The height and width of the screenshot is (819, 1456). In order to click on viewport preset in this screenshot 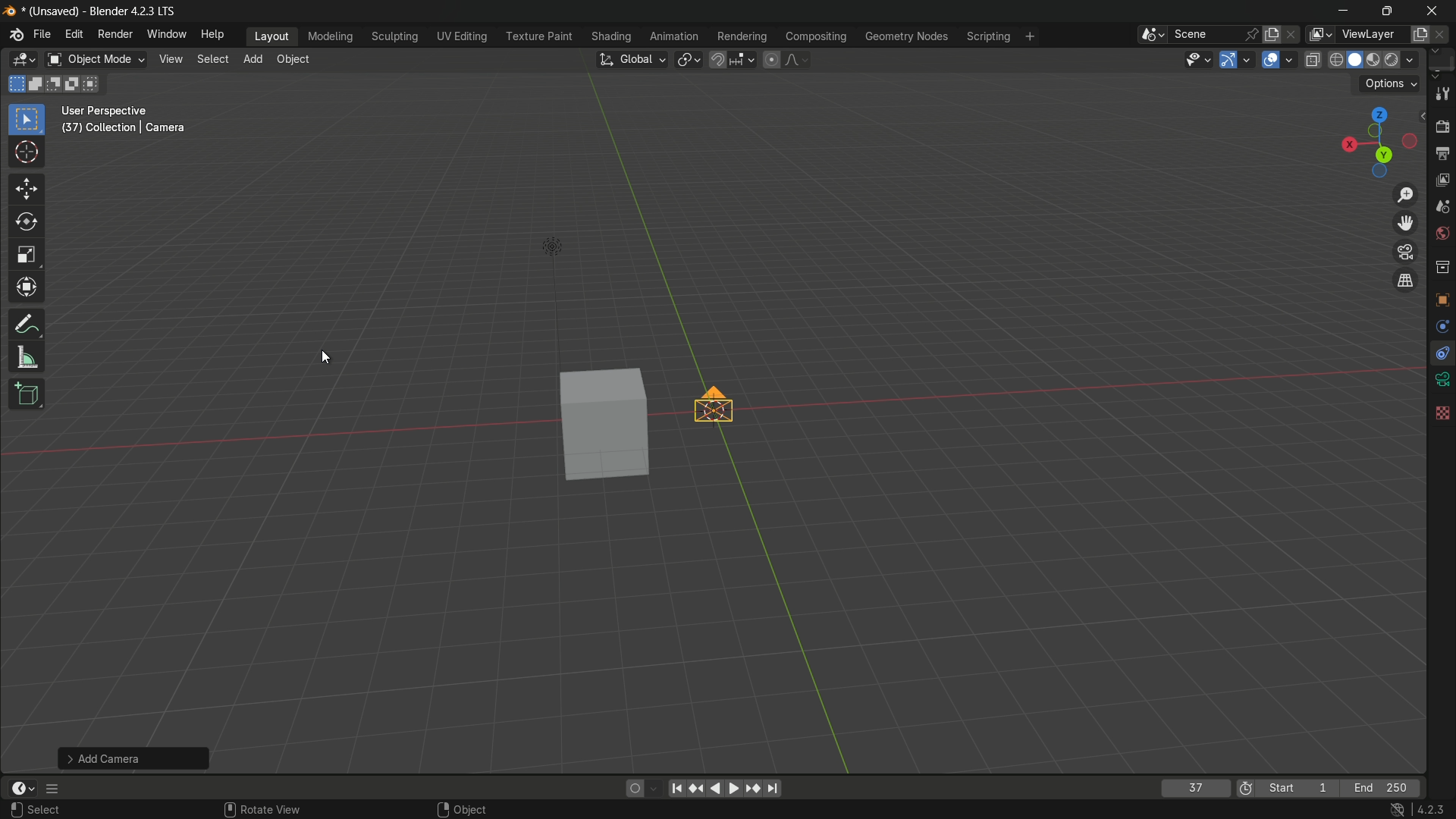, I will do `click(1375, 141)`.